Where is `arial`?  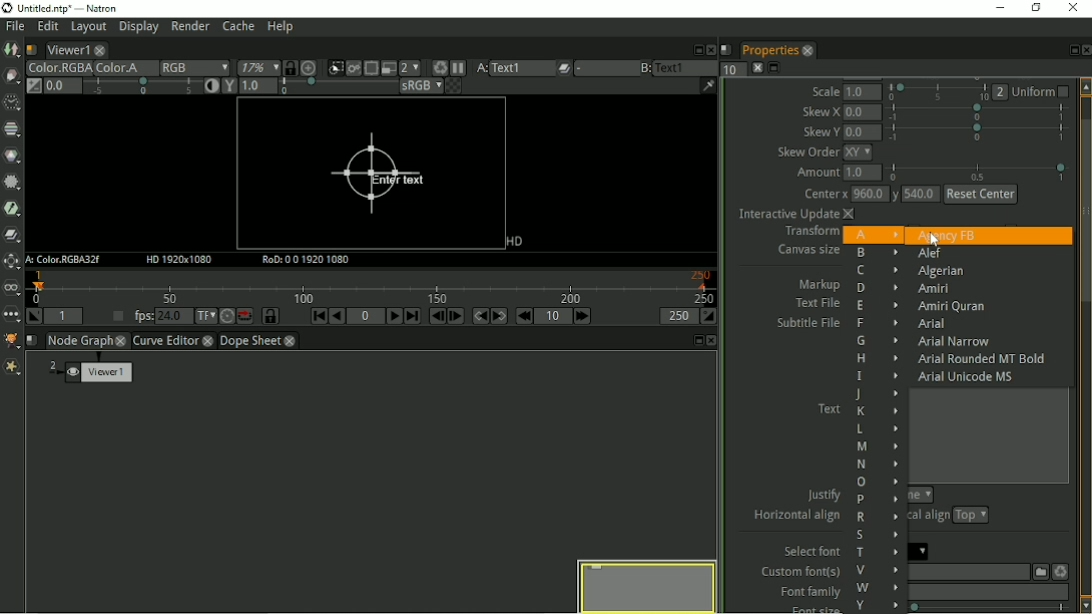 arial is located at coordinates (921, 551).